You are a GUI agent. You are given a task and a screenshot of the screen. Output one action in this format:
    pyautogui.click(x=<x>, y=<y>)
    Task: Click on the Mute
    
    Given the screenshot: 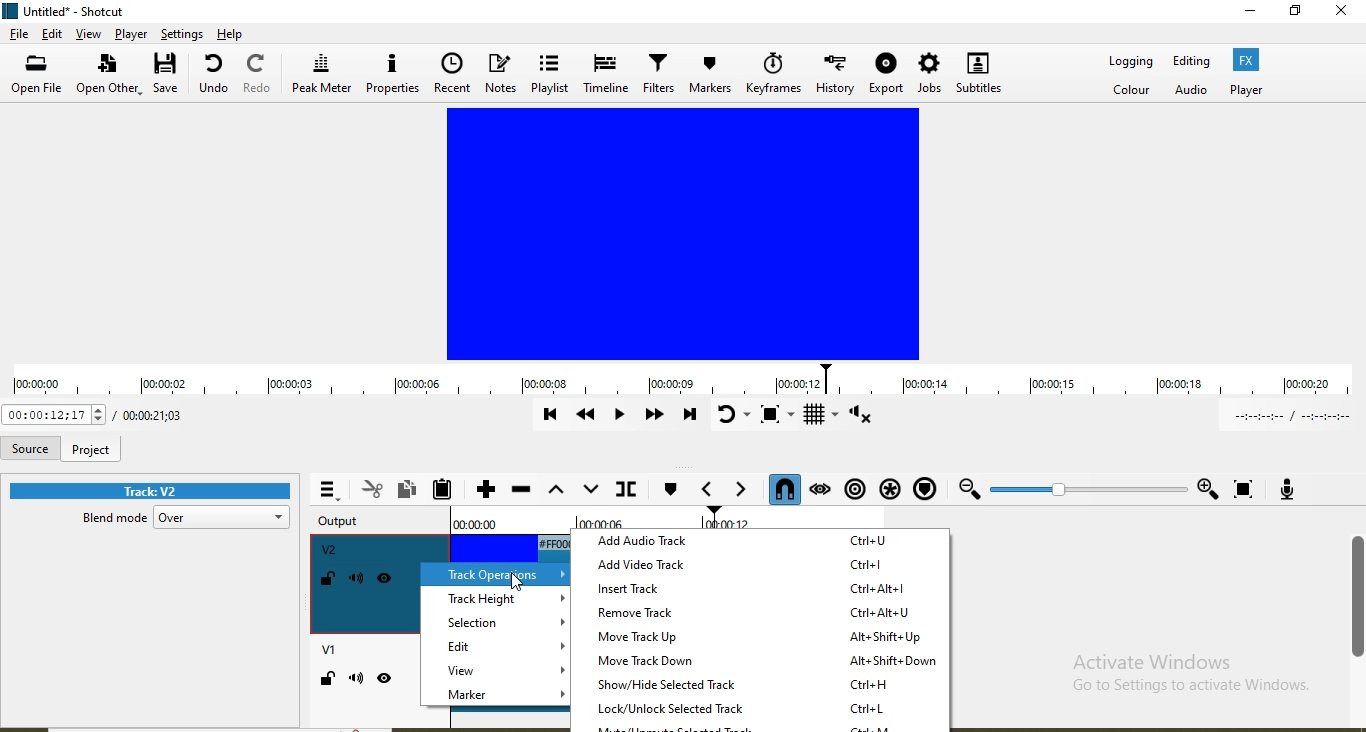 What is the action you would take?
    pyautogui.click(x=356, y=680)
    